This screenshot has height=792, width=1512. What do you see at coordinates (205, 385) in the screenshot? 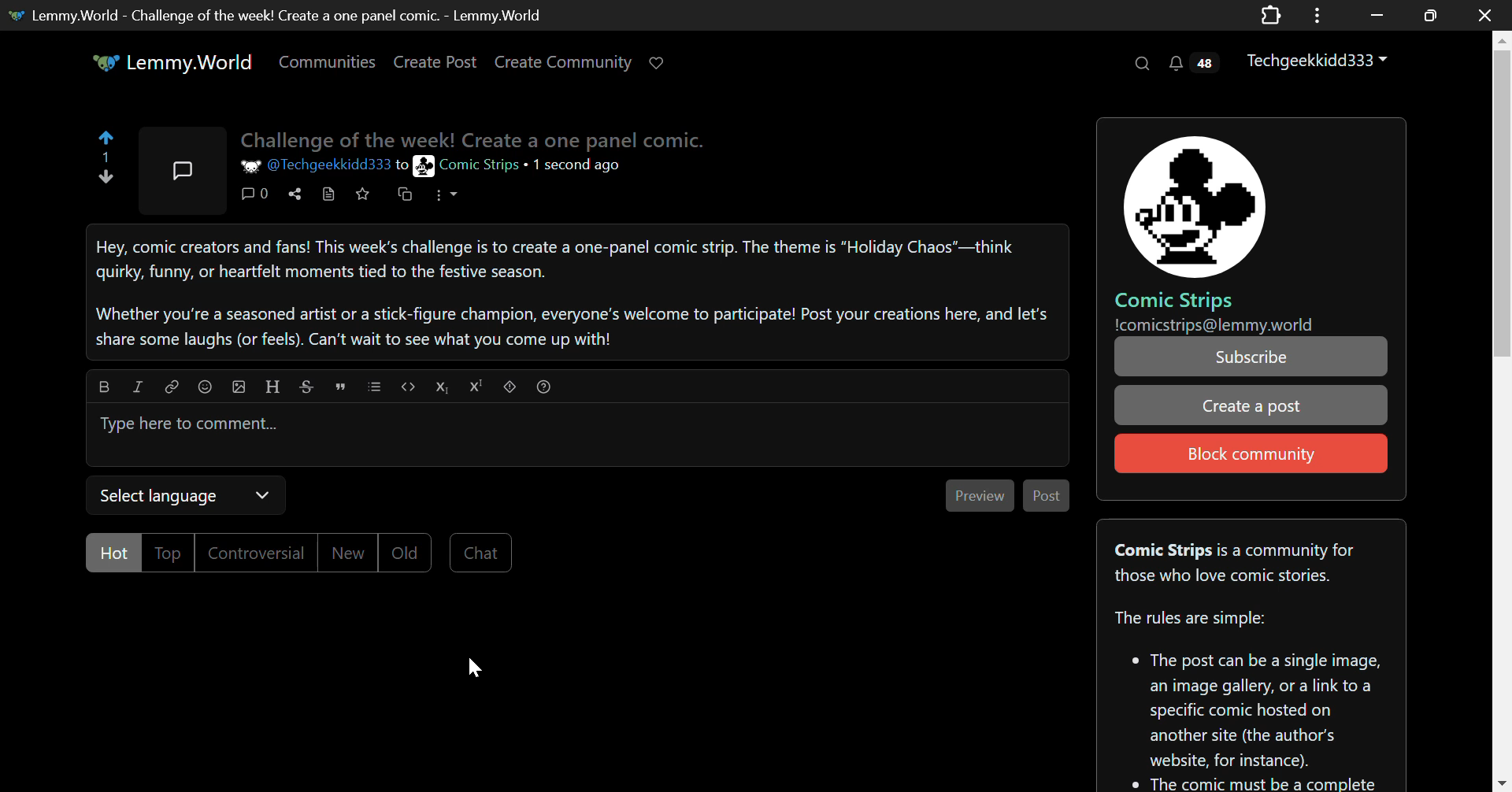
I see `Emoji` at bounding box center [205, 385].